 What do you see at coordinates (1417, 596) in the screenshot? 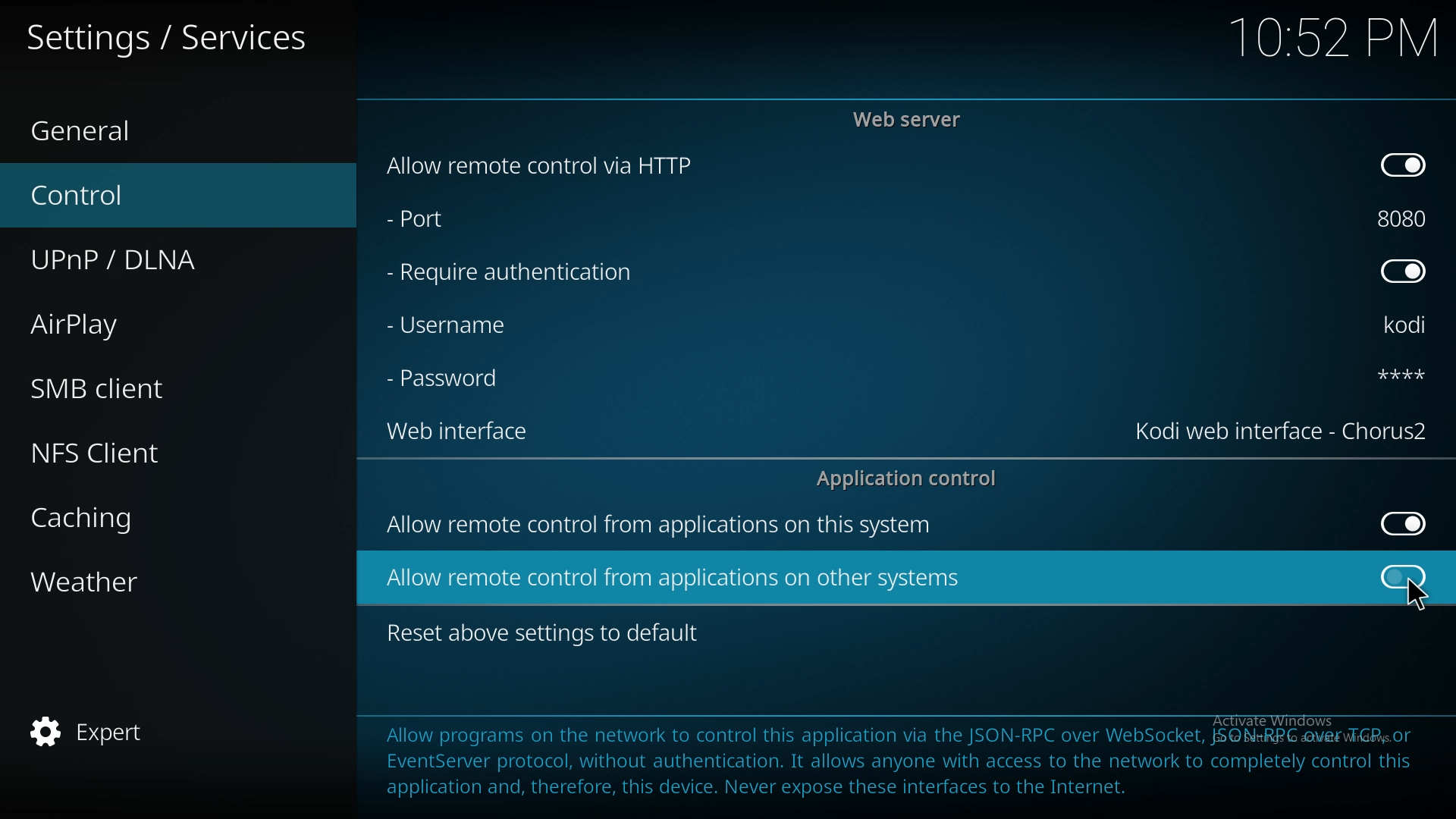
I see `cursor` at bounding box center [1417, 596].